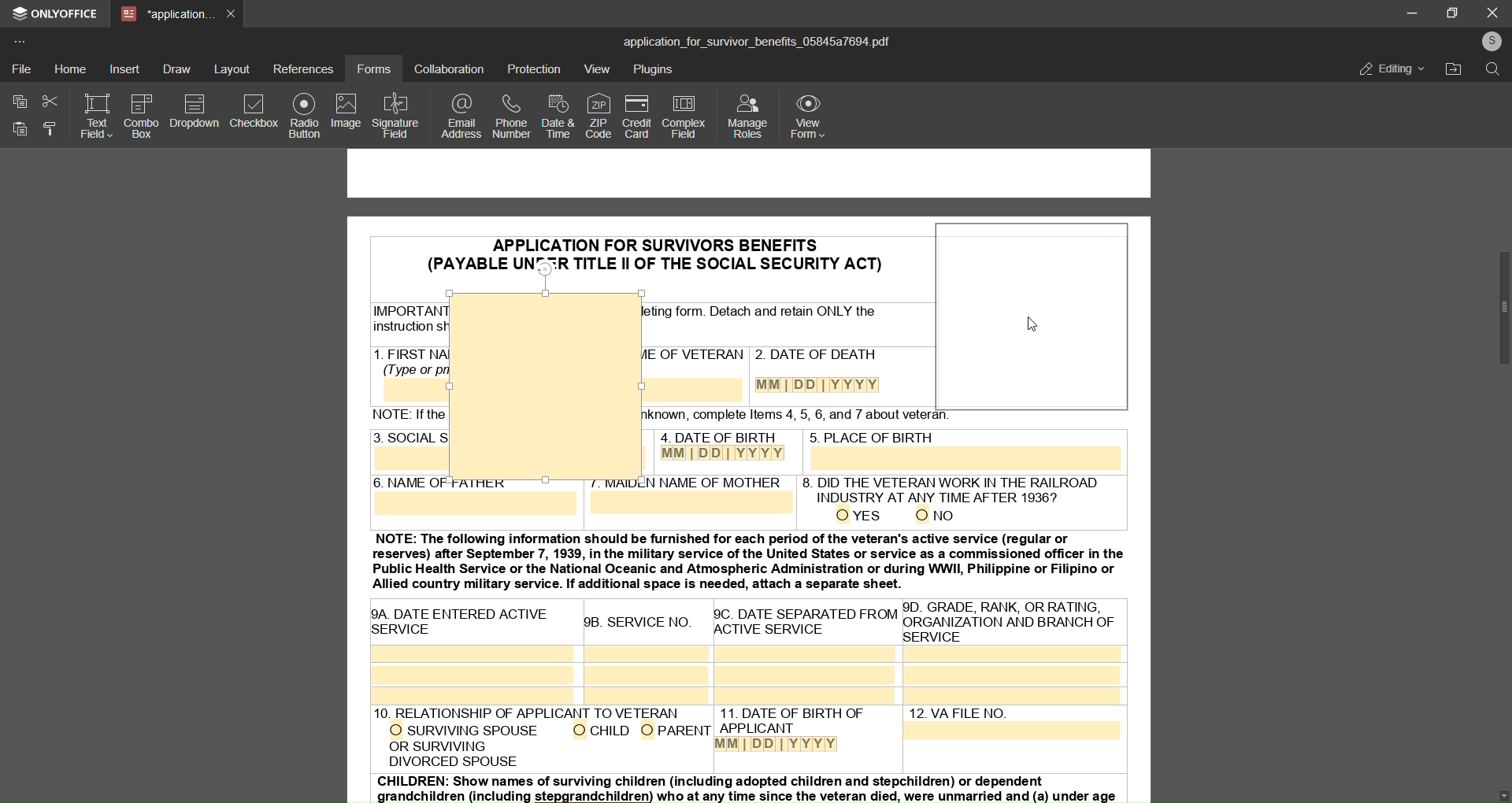 Image resolution: width=1512 pixels, height=803 pixels. Describe the element at coordinates (1030, 461) in the screenshot. I see `pdf` at that location.